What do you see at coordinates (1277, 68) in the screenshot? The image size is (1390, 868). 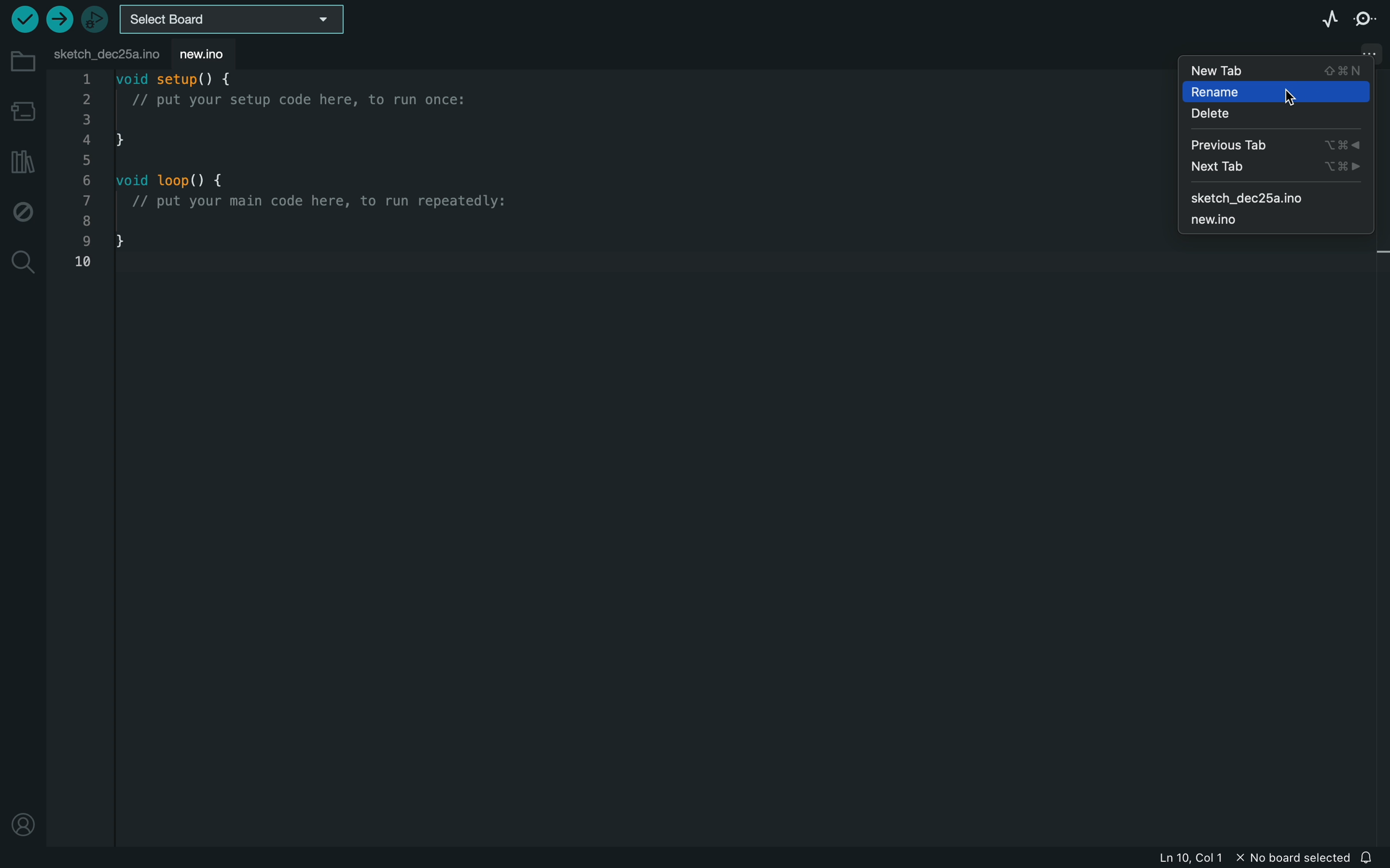 I see `new tab` at bounding box center [1277, 68].